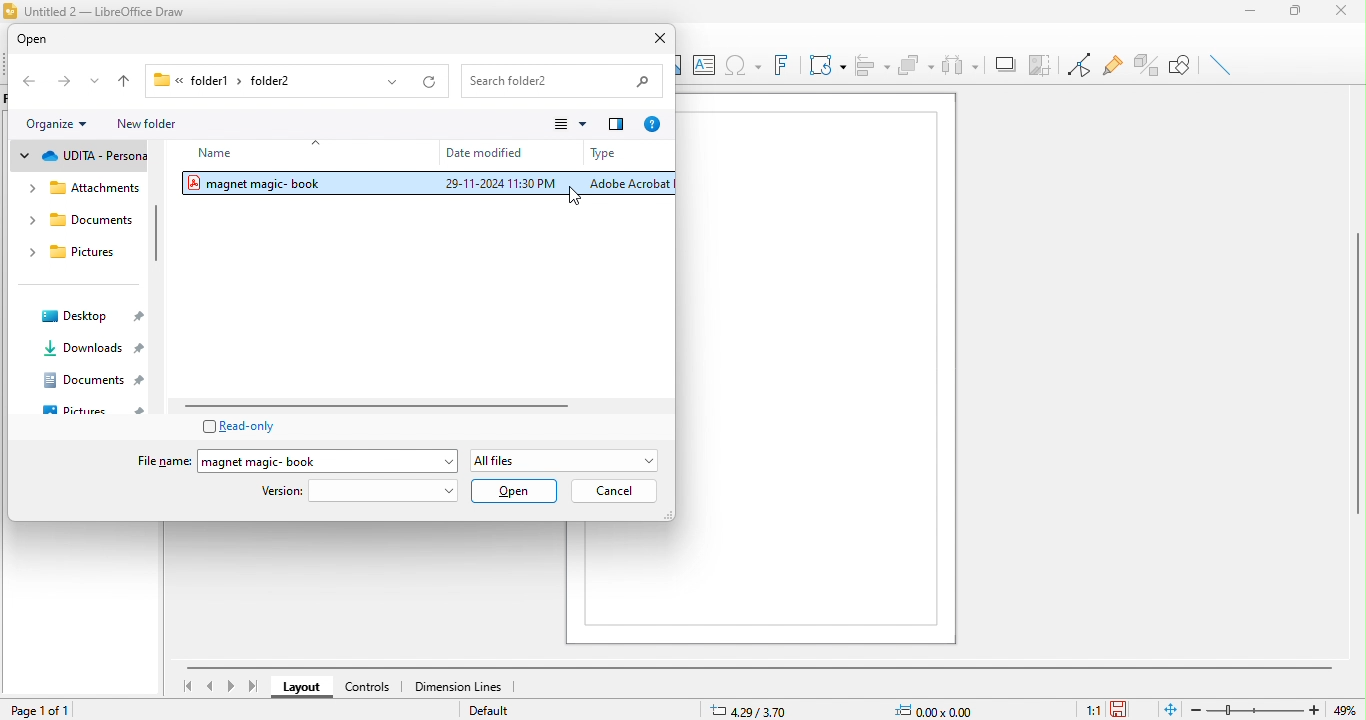 The image size is (1366, 720). What do you see at coordinates (742, 65) in the screenshot?
I see `special character` at bounding box center [742, 65].